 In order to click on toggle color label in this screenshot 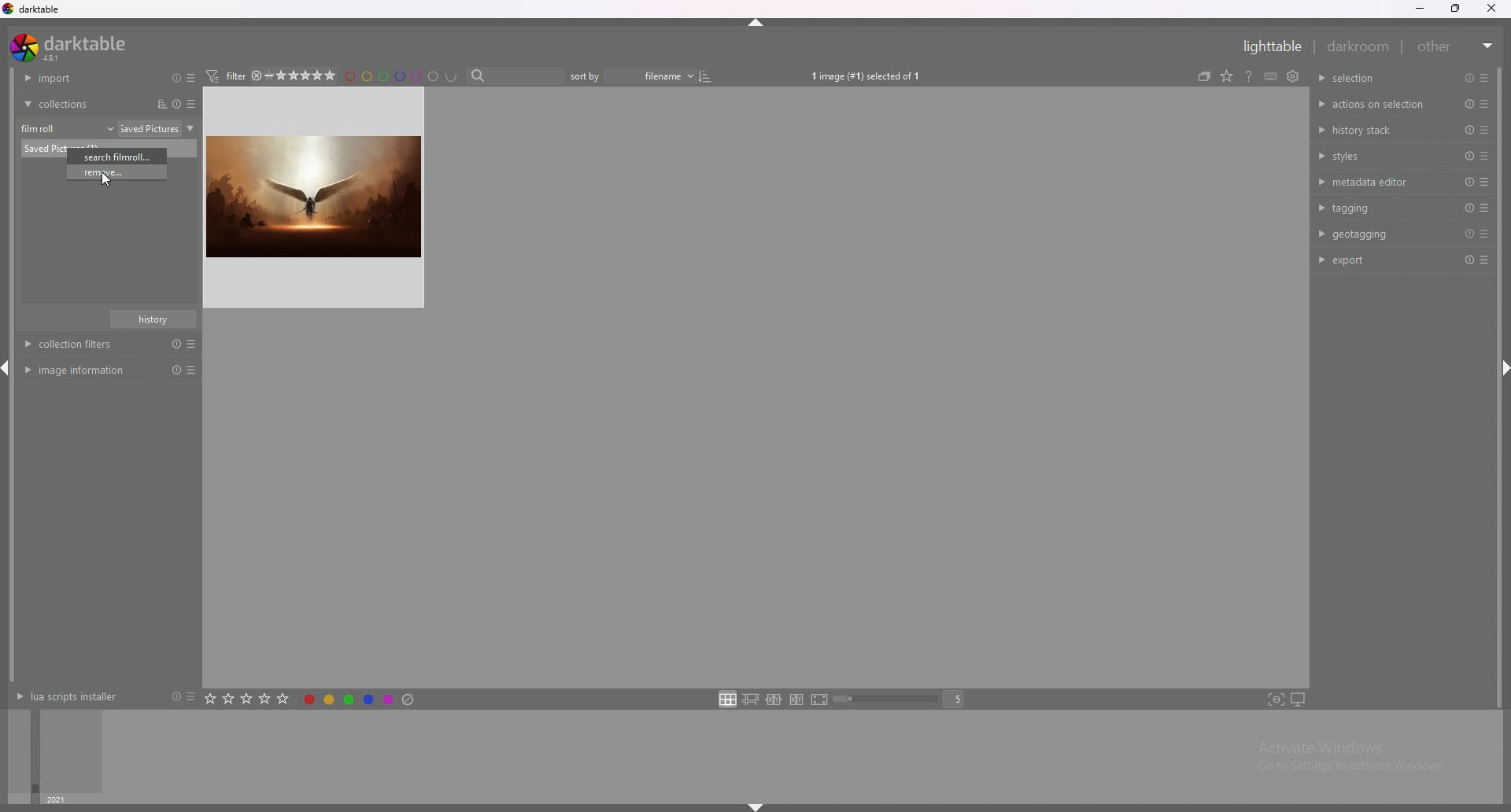, I will do `click(360, 698)`.